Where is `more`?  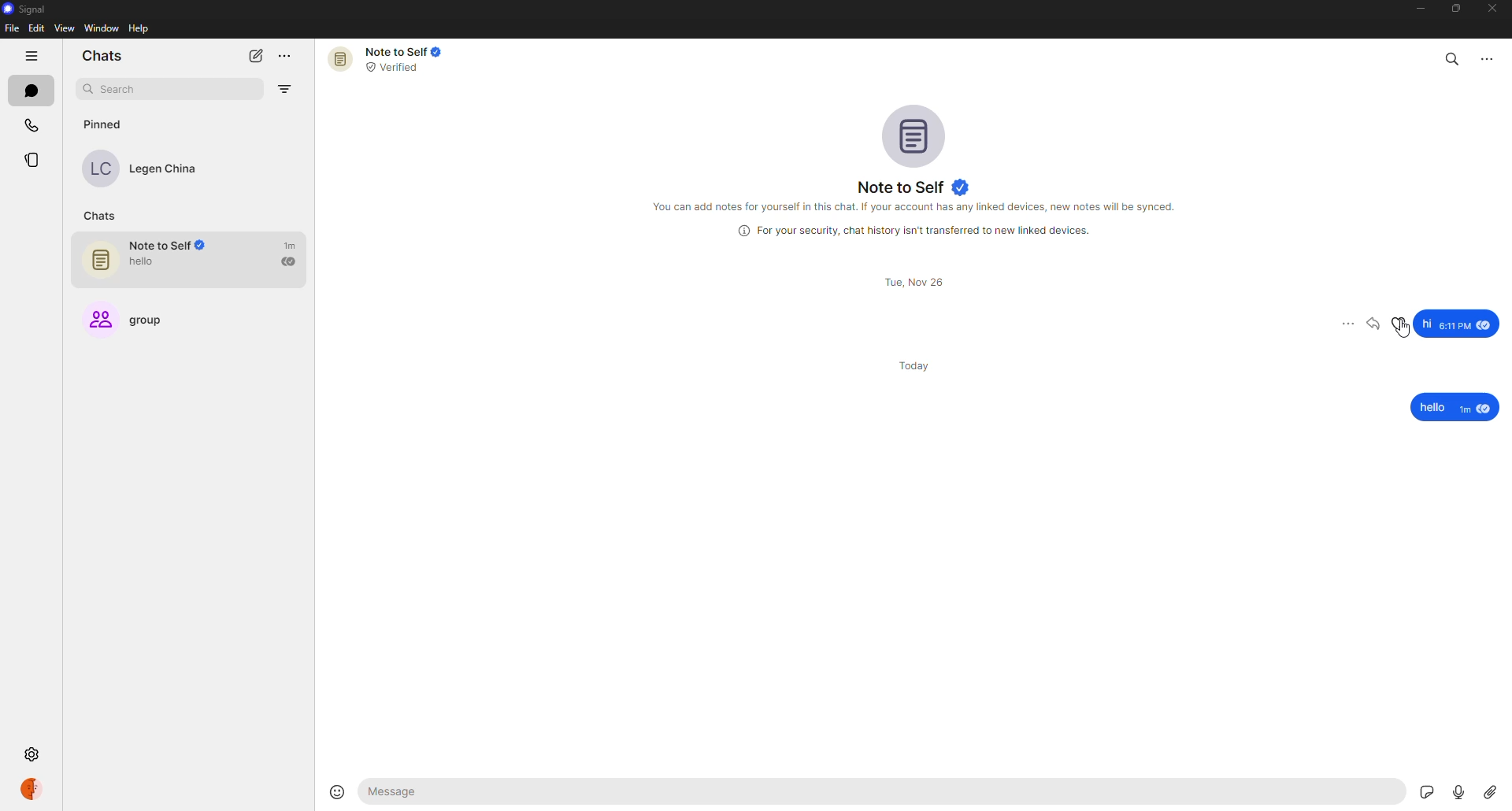
more is located at coordinates (1340, 324).